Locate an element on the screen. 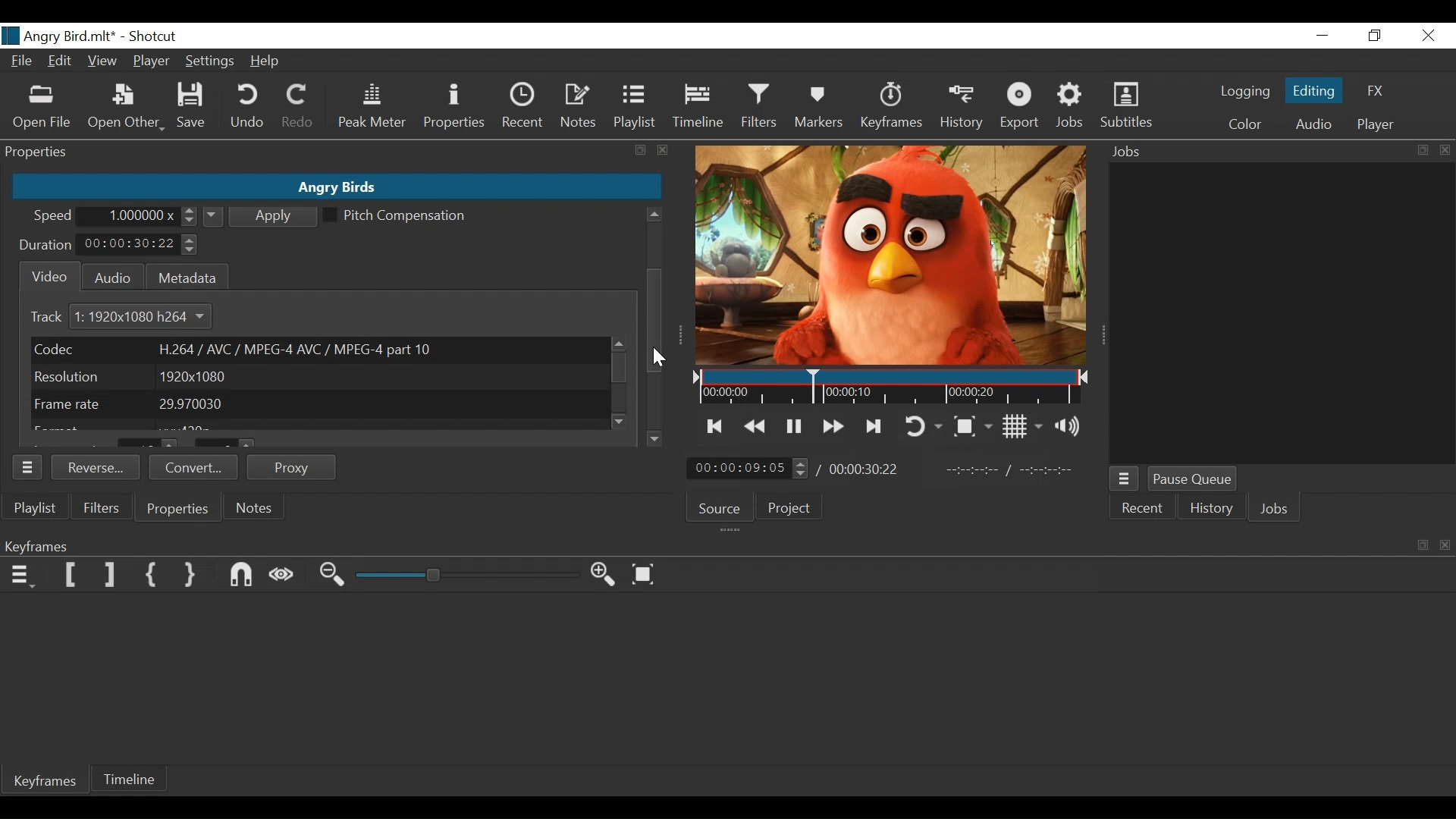  Play backward quickly is located at coordinates (755, 426).